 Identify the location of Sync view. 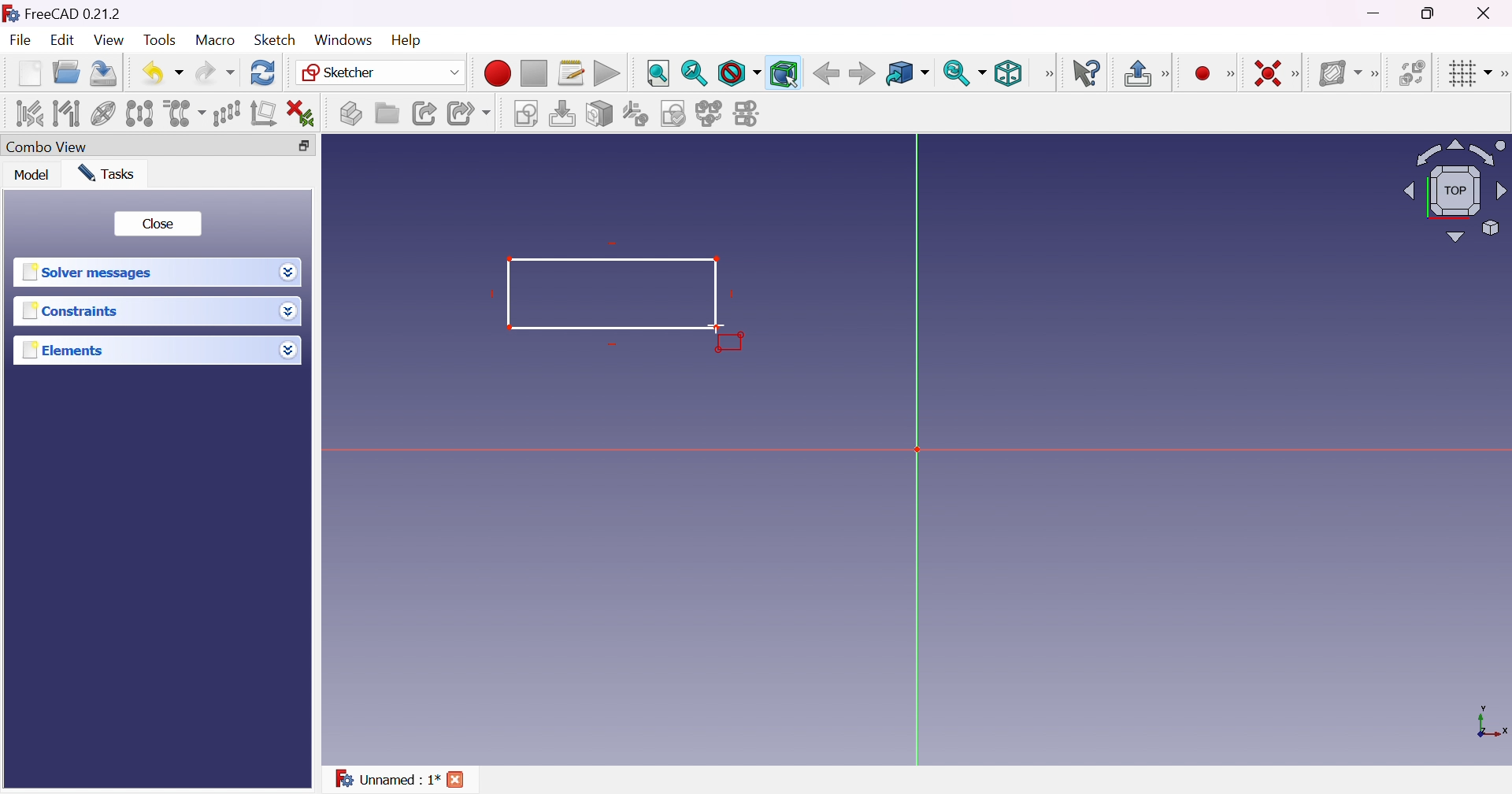
(964, 75).